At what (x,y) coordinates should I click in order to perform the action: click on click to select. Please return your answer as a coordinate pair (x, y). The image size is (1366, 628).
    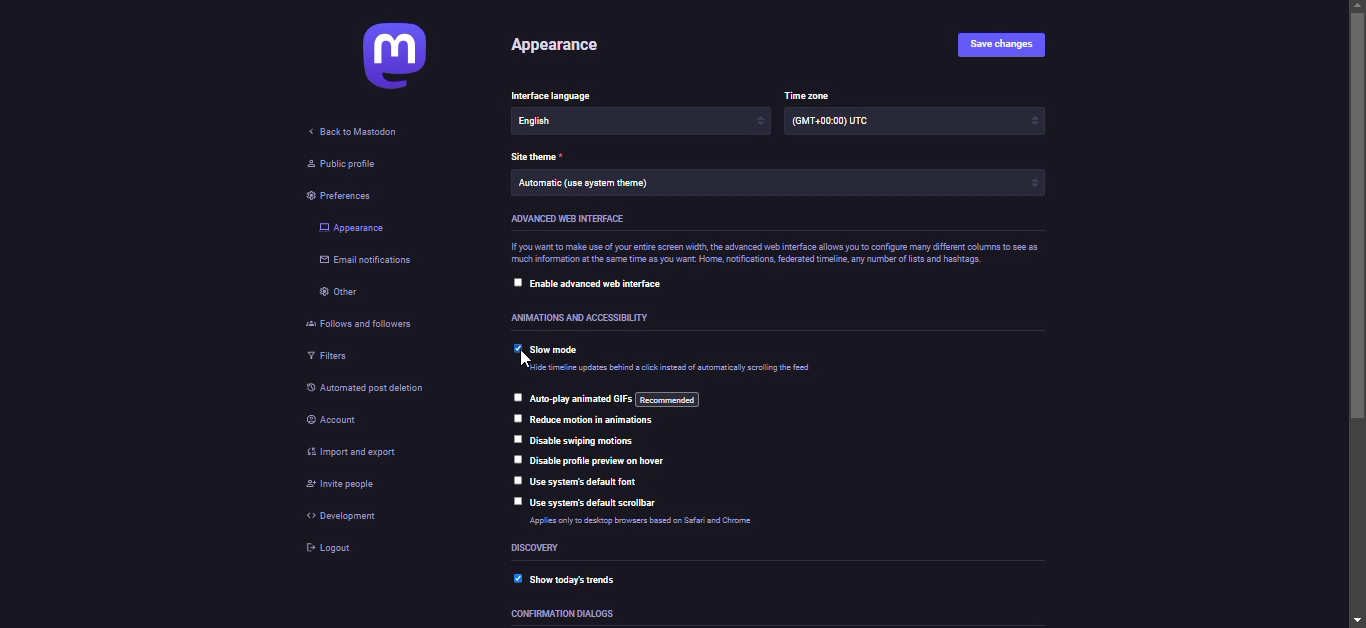
    Looking at the image, I should click on (513, 283).